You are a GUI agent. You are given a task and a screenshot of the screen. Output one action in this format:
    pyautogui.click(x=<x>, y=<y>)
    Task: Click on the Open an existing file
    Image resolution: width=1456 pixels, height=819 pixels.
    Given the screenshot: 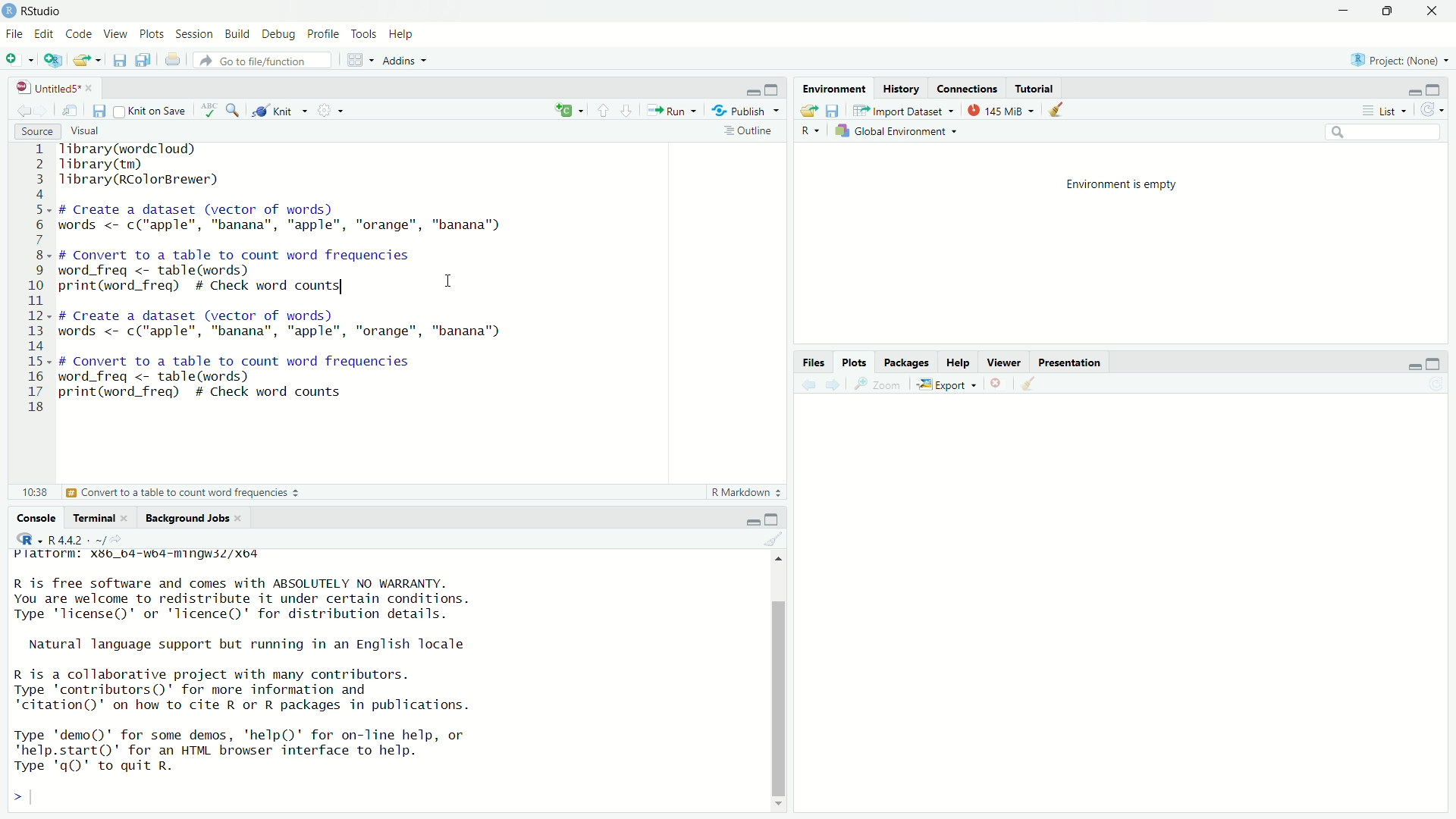 What is the action you would take?
    pyautogui.click(x=86, y=60)
    